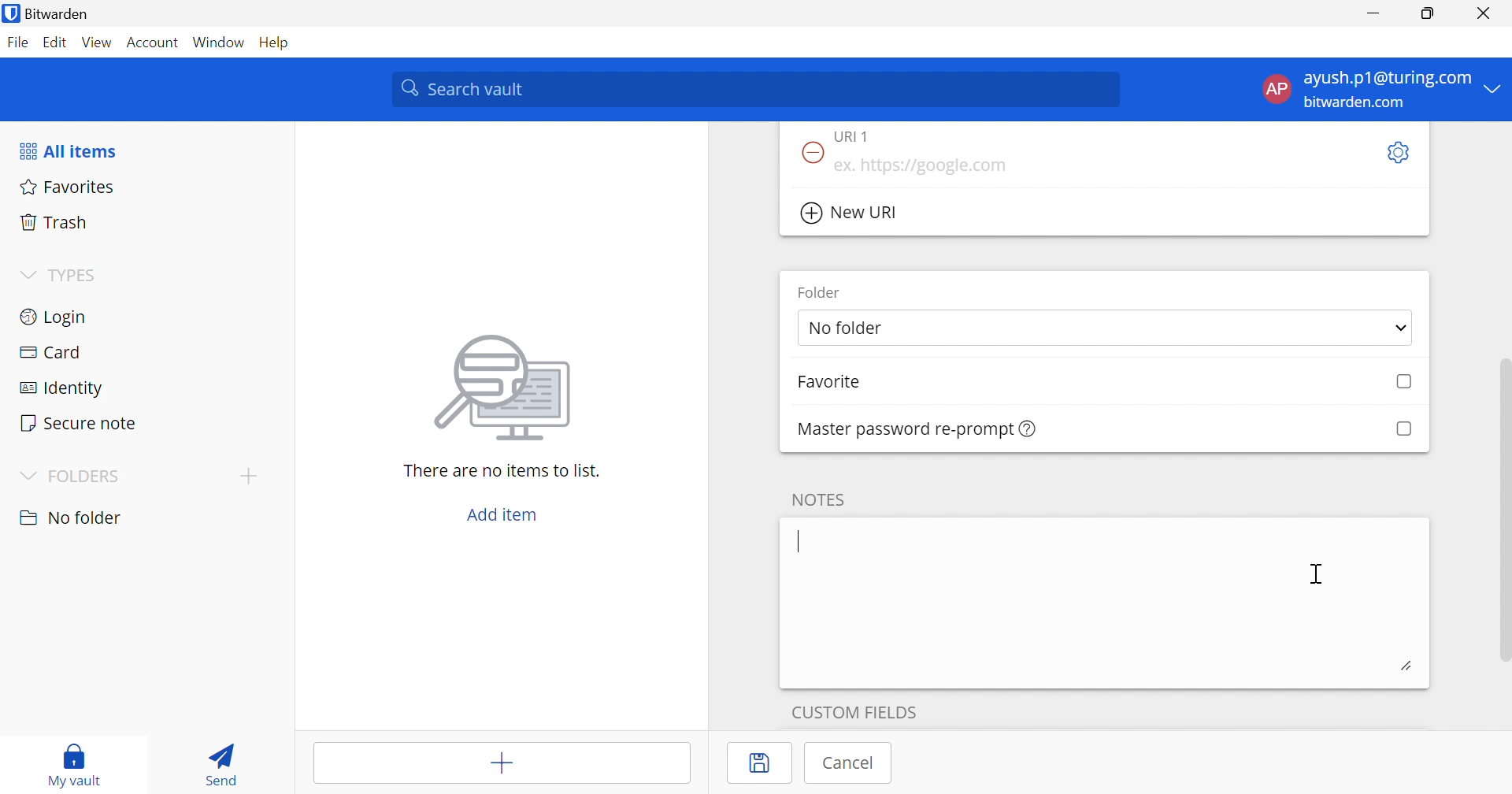  What do you see at coordinates (77, 425) in the screenshot?
I see `Secure note` at bounding box center [77, 425].